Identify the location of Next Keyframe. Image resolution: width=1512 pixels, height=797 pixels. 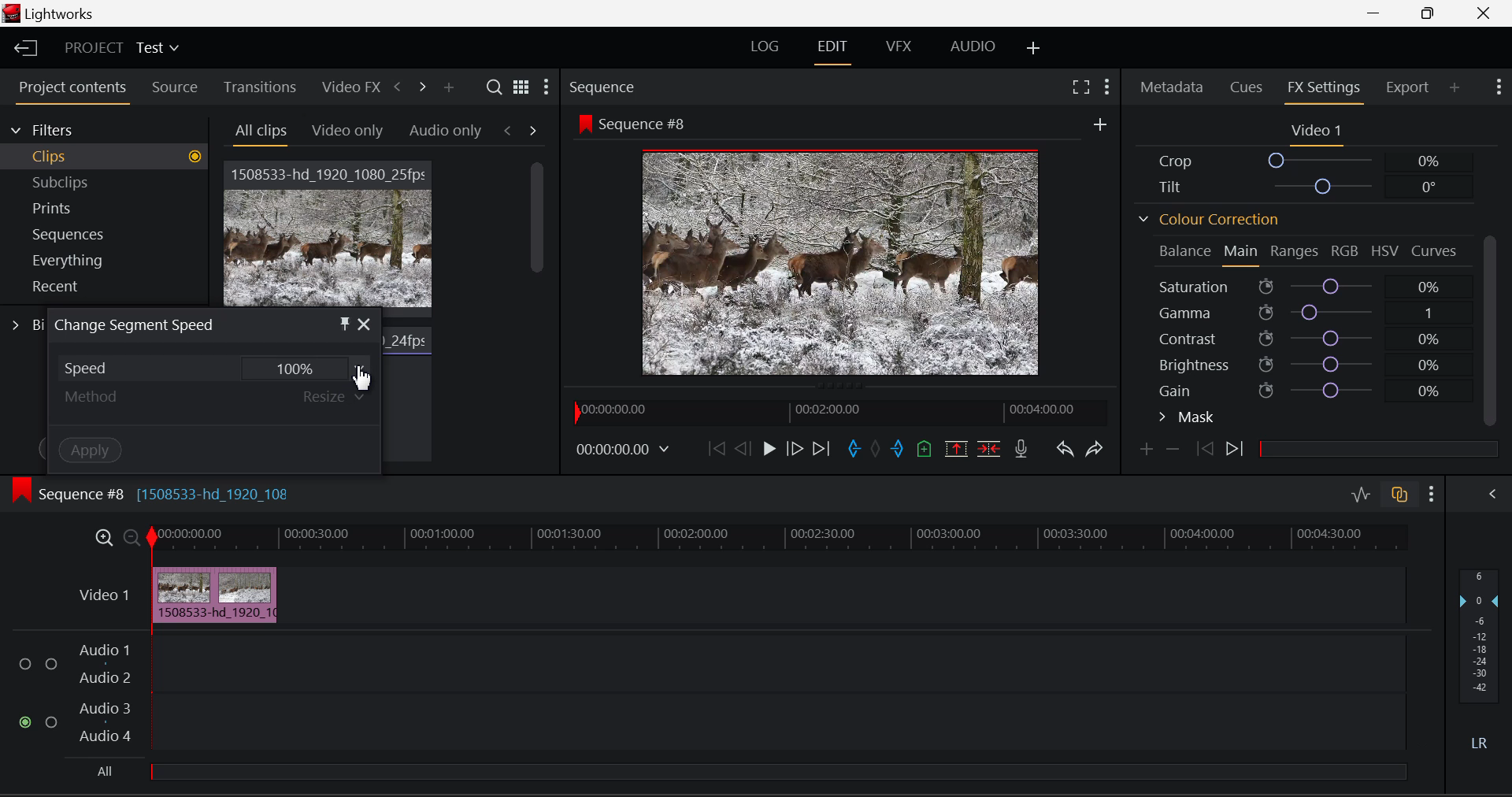
(1236, 449).